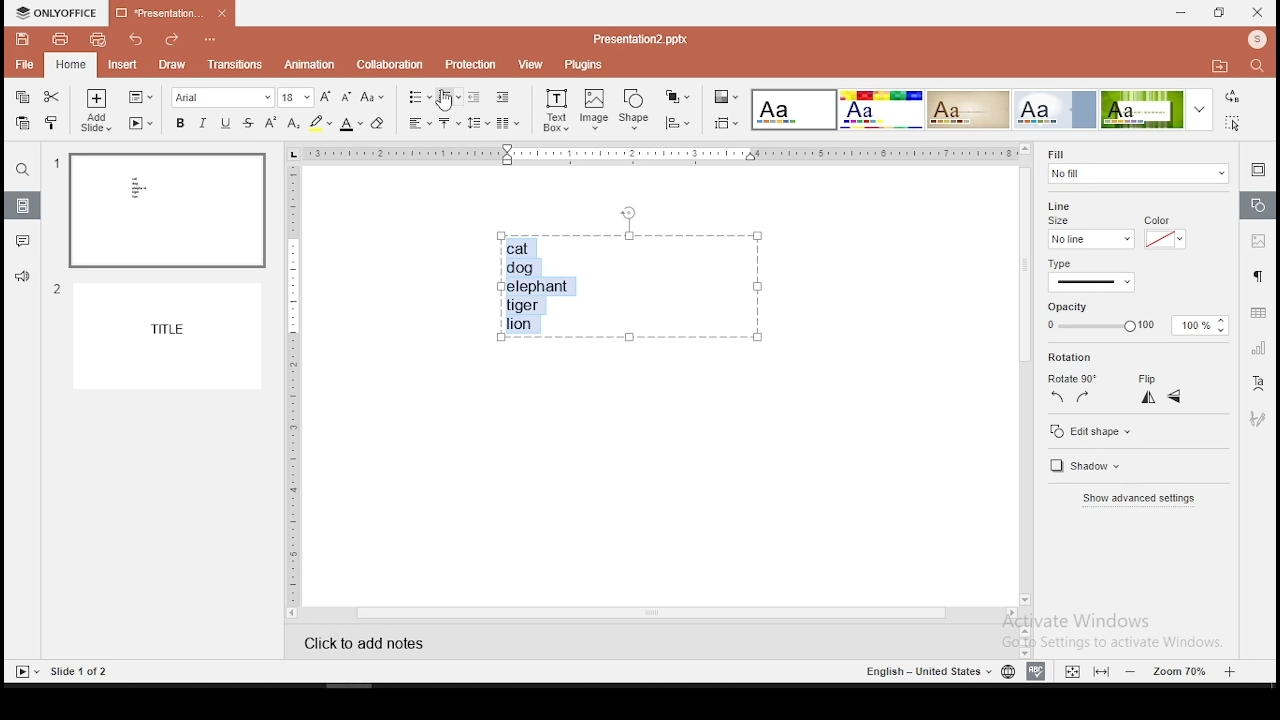 The image size is (1280, 720). Describe the element at coordinates (1232, 97) in the screenshot. I see `replace` at that location.